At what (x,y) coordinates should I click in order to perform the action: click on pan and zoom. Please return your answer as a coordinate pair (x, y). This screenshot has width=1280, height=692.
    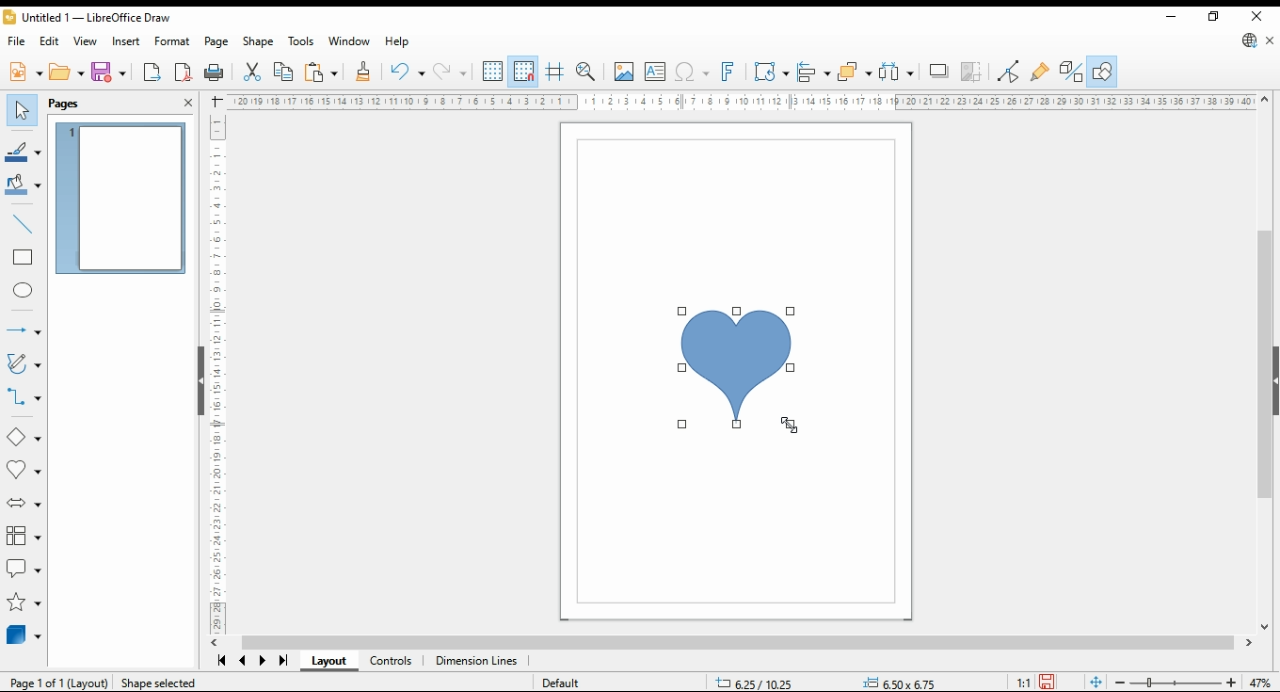
    Looking at the image, I should click on (587, 72).